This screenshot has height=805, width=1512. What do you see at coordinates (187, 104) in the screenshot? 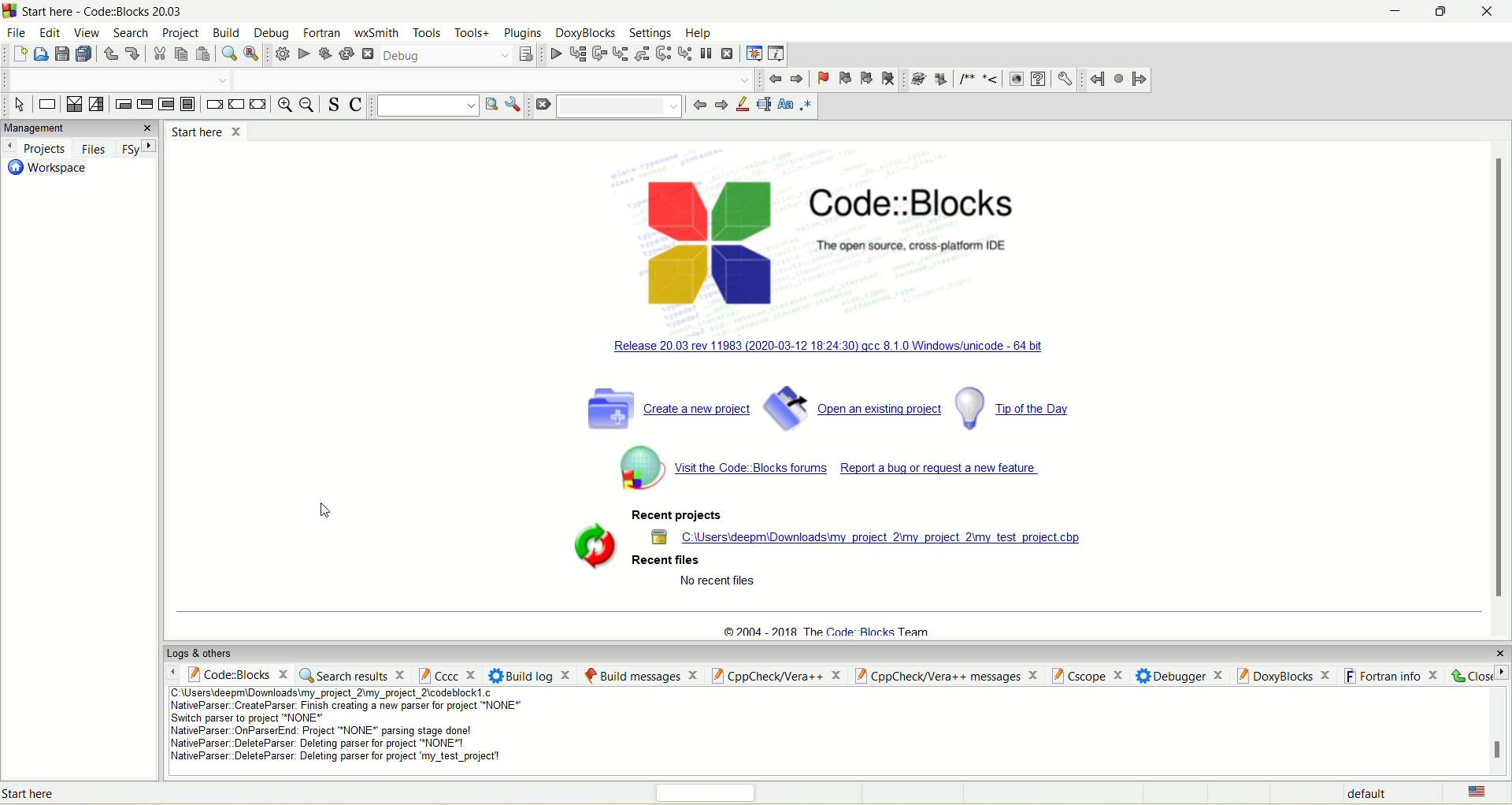
I see `block instruction` at bounding box center [187, 104].